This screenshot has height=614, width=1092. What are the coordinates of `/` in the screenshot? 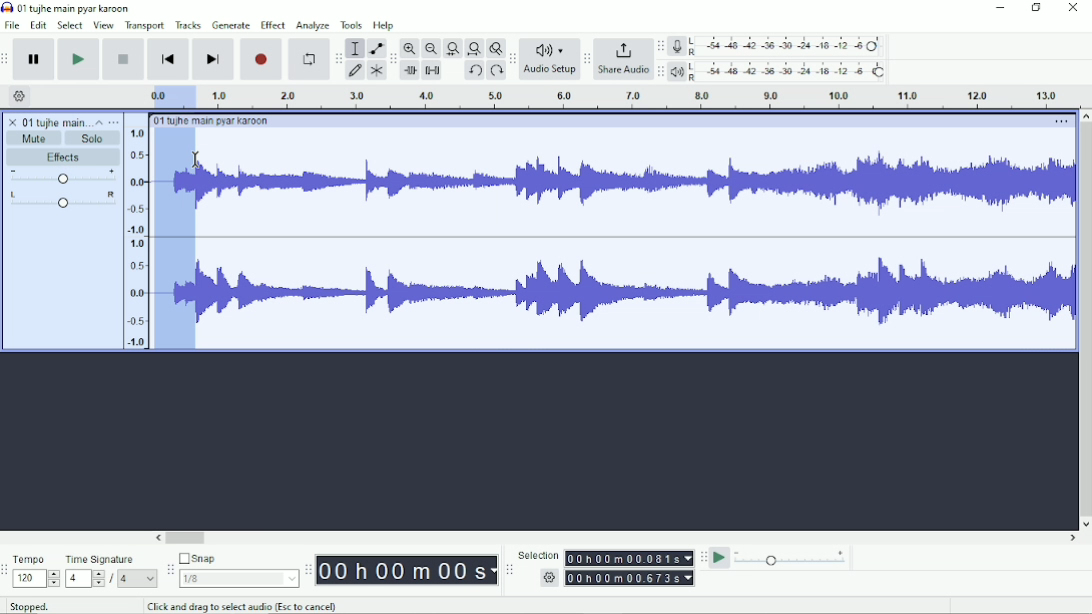 It's located at (113, 579).